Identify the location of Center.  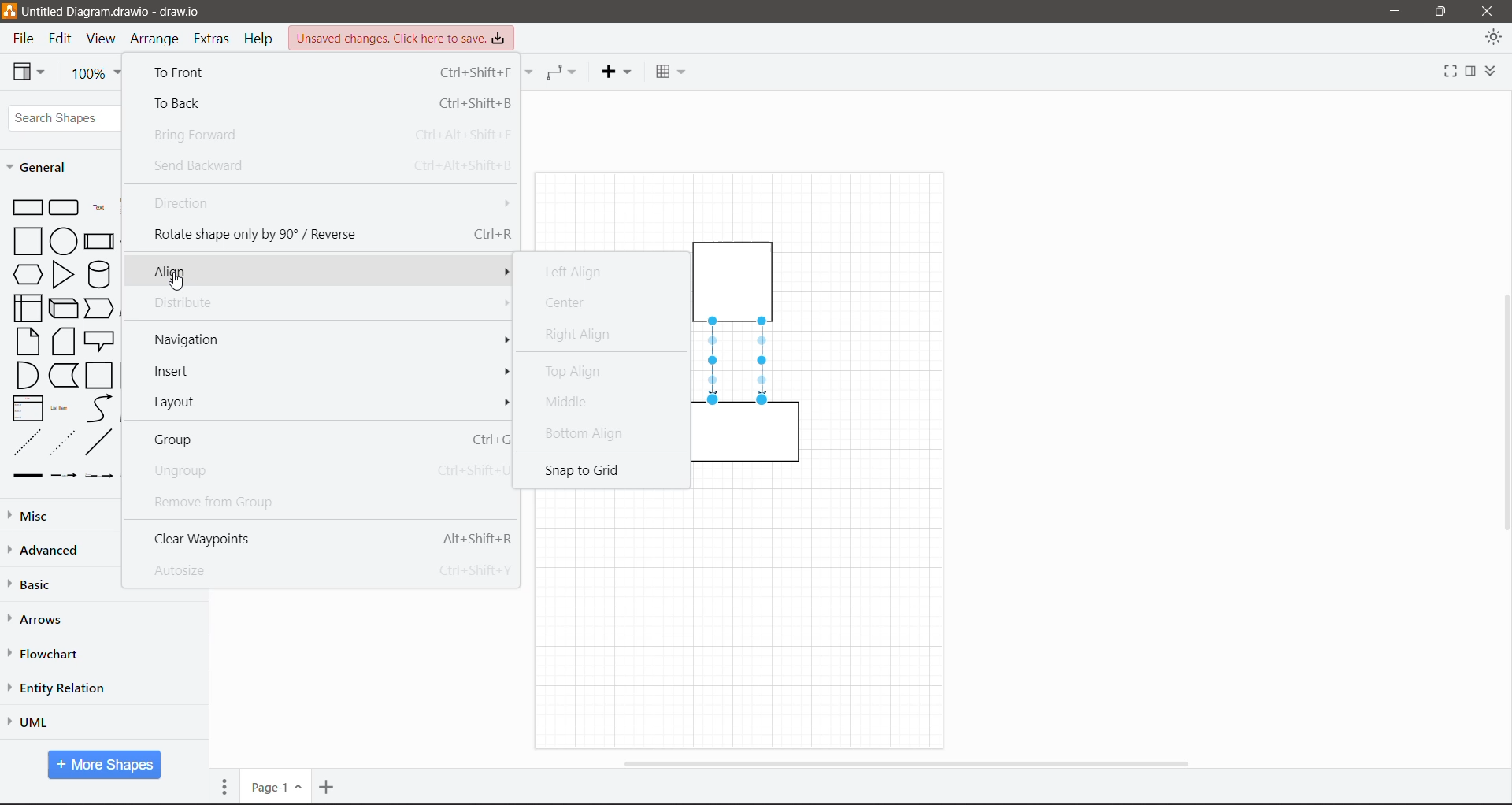
(573, 303).